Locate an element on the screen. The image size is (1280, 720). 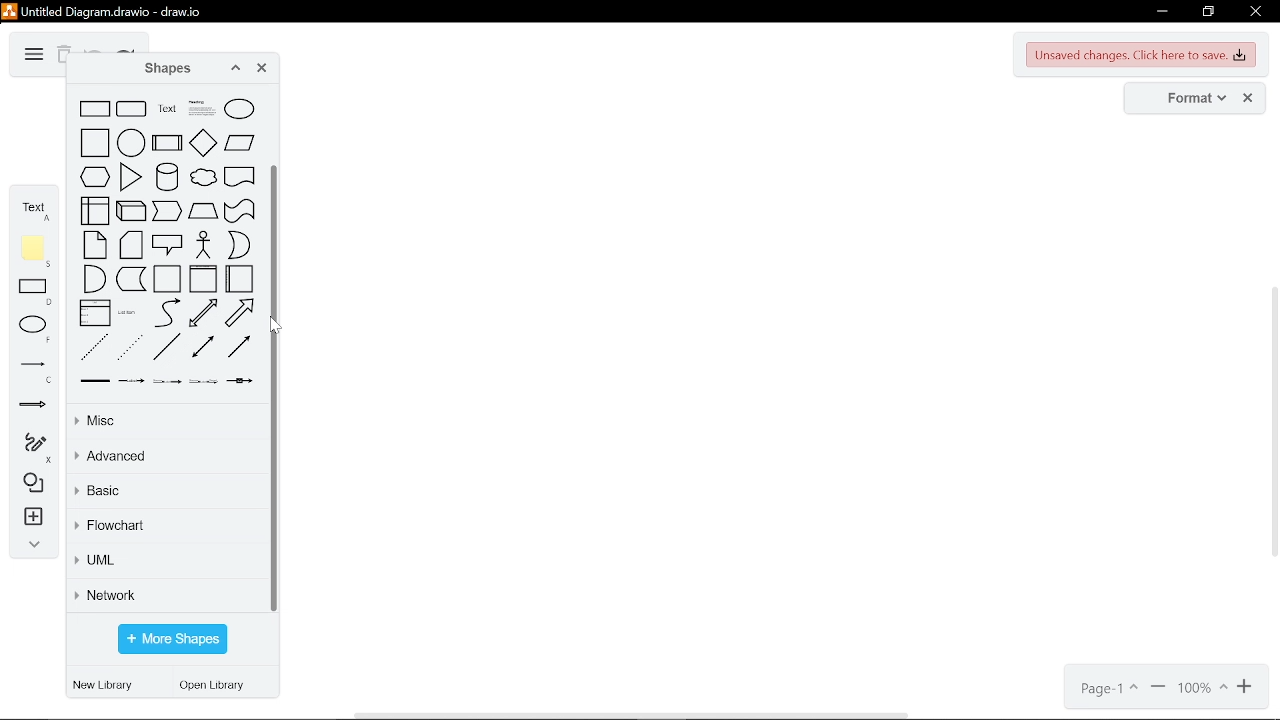
list is located at coordinates (95, 312).